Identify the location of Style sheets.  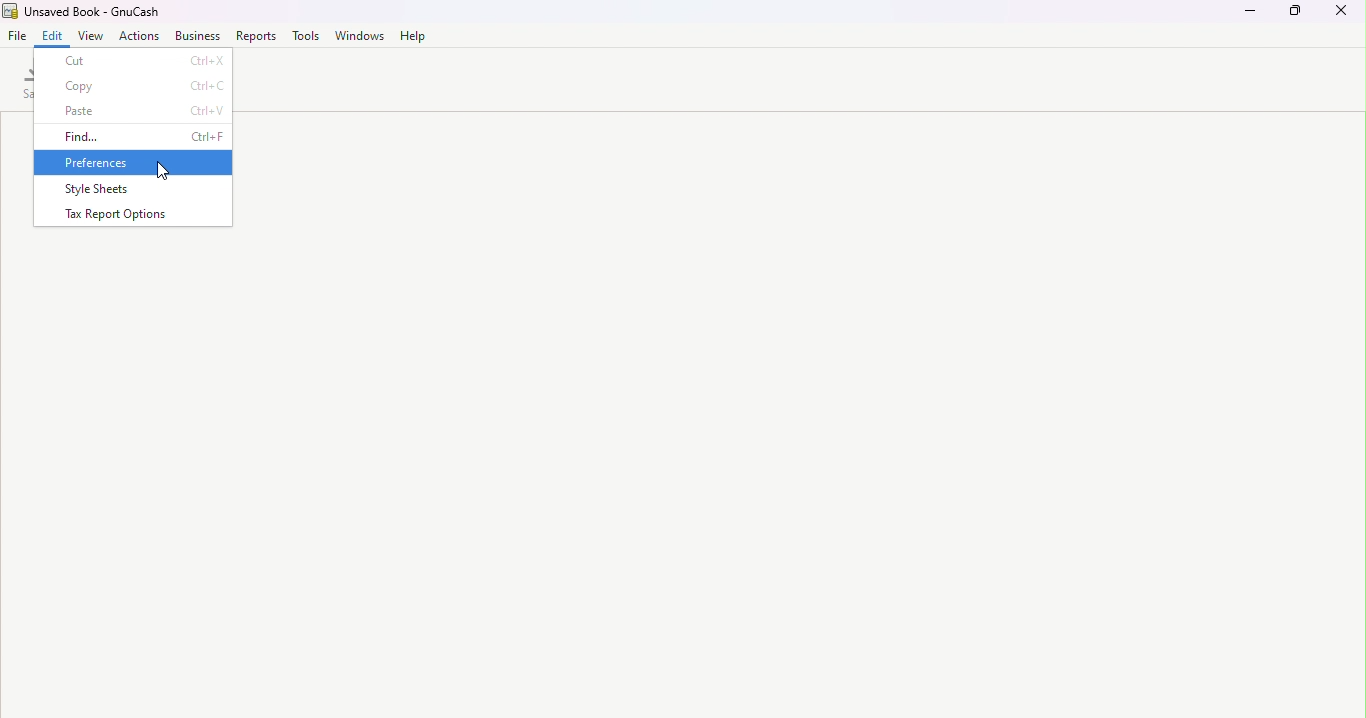
(130, 187).